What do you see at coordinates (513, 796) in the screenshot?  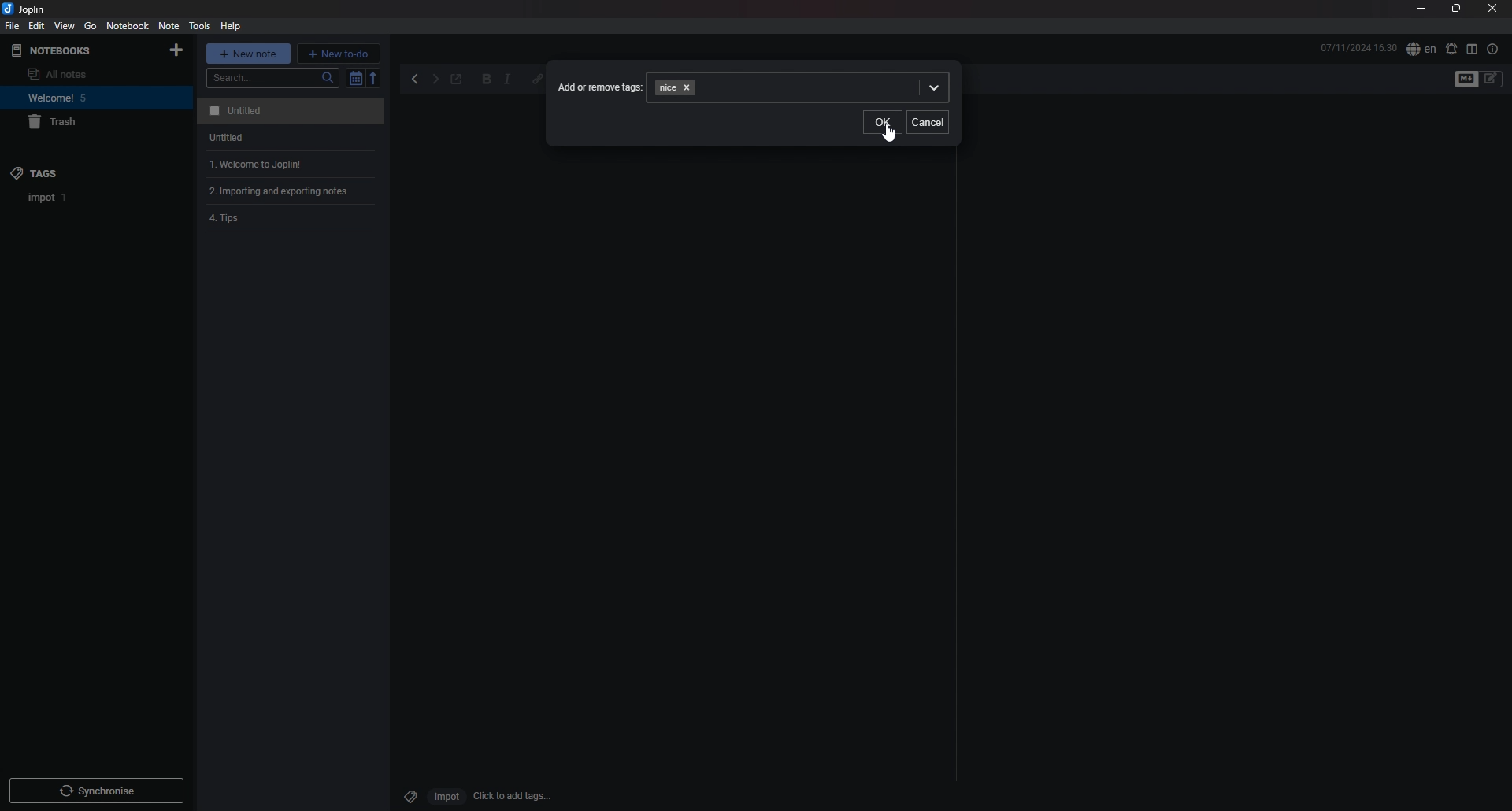 I see `add tags` at bounding box center [513, 796].